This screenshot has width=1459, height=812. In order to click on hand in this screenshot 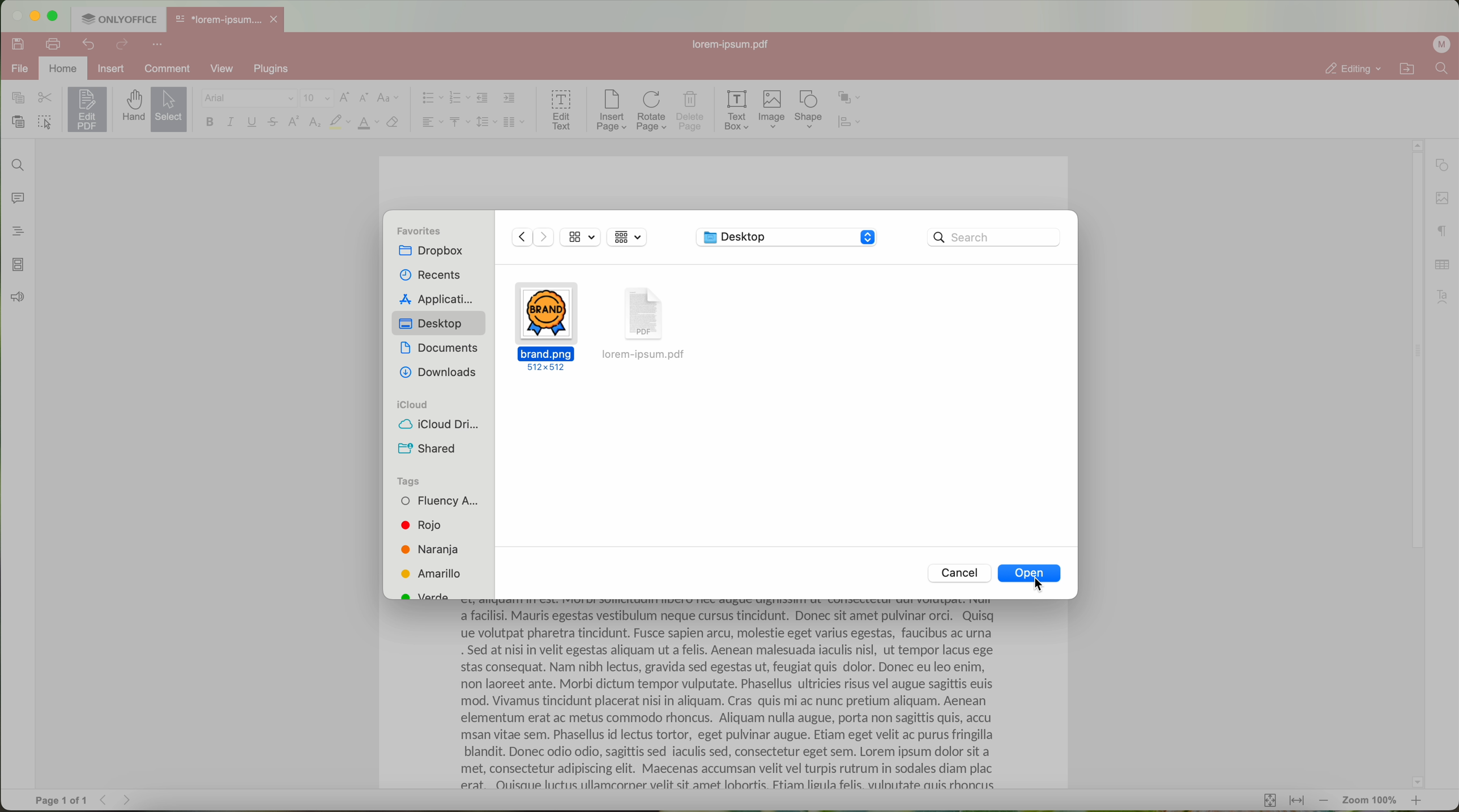, I will do `click(132, 106)`.